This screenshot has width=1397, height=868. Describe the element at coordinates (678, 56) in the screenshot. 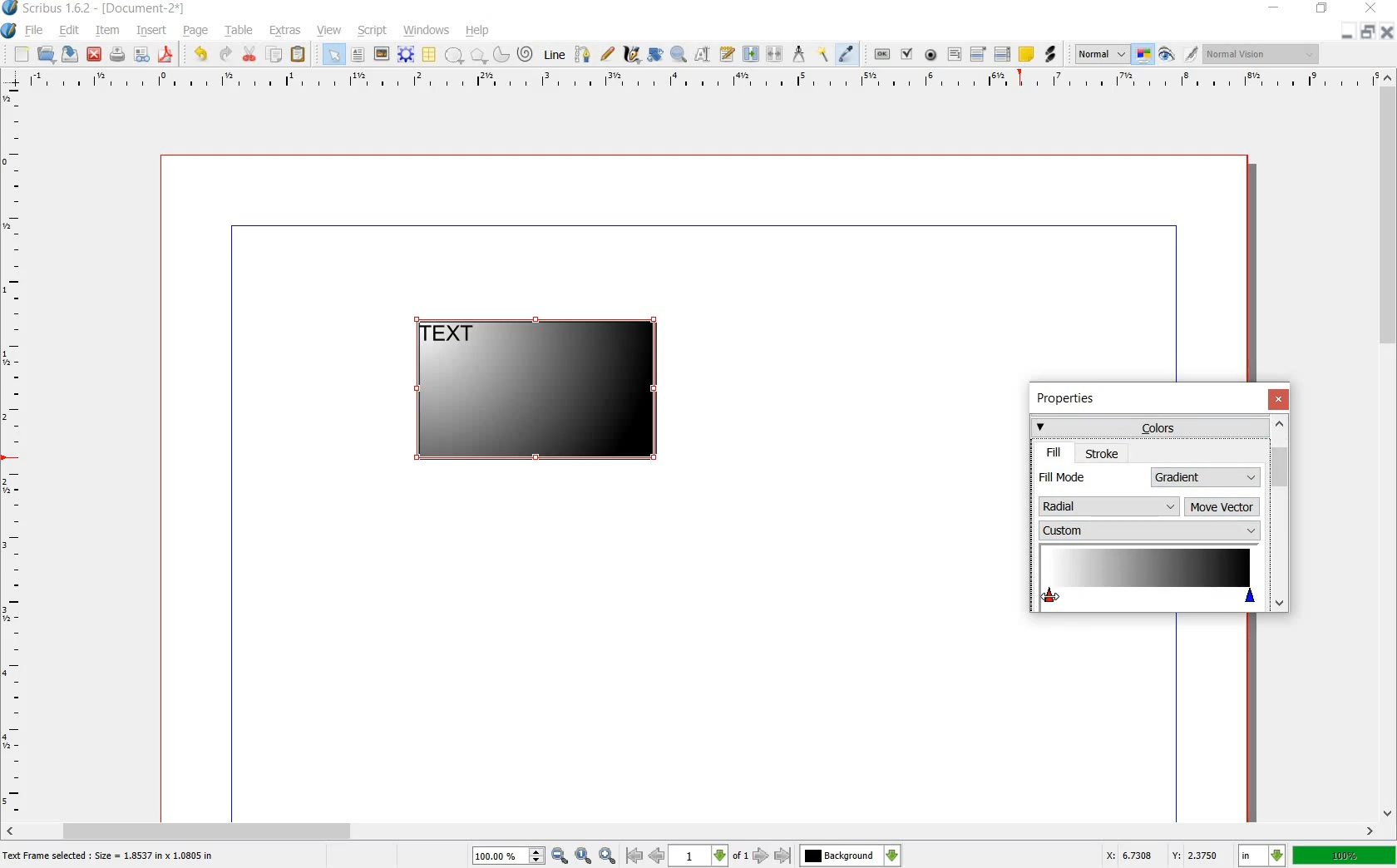

I see `zoom in or out` at that location.